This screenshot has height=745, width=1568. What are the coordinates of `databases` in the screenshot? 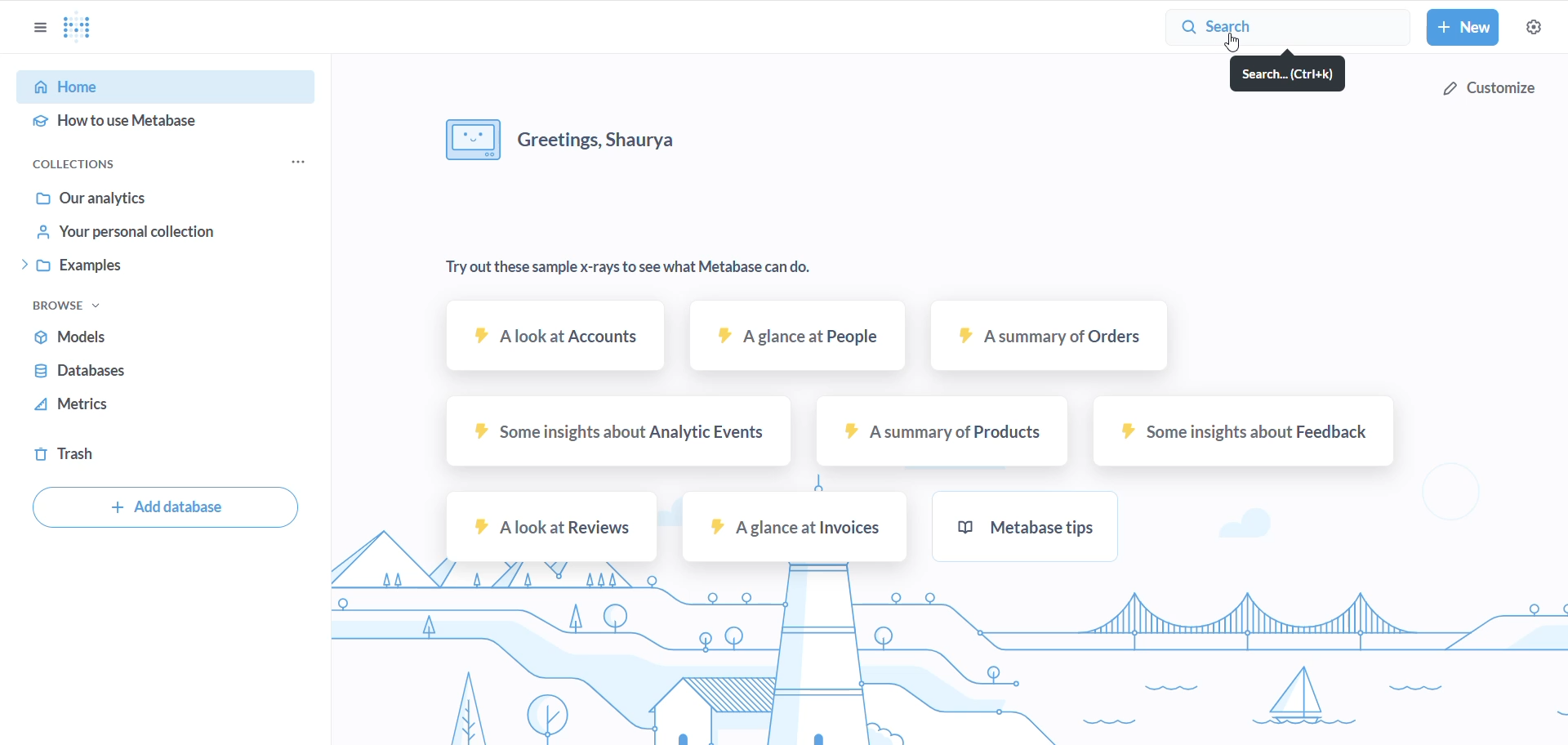 It's located at (100, 372).